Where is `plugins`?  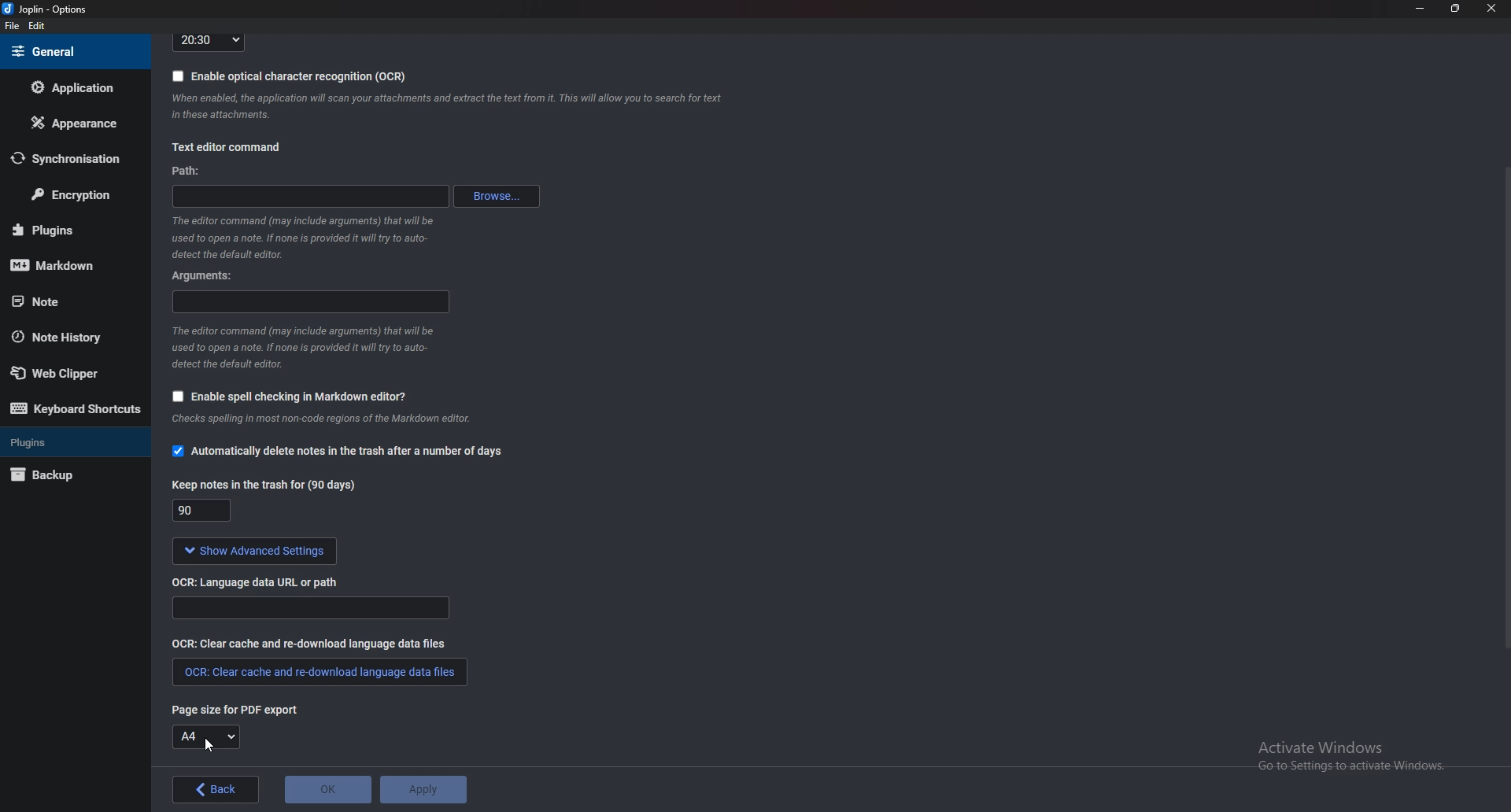
plugins is located at coordinates (71, 441).